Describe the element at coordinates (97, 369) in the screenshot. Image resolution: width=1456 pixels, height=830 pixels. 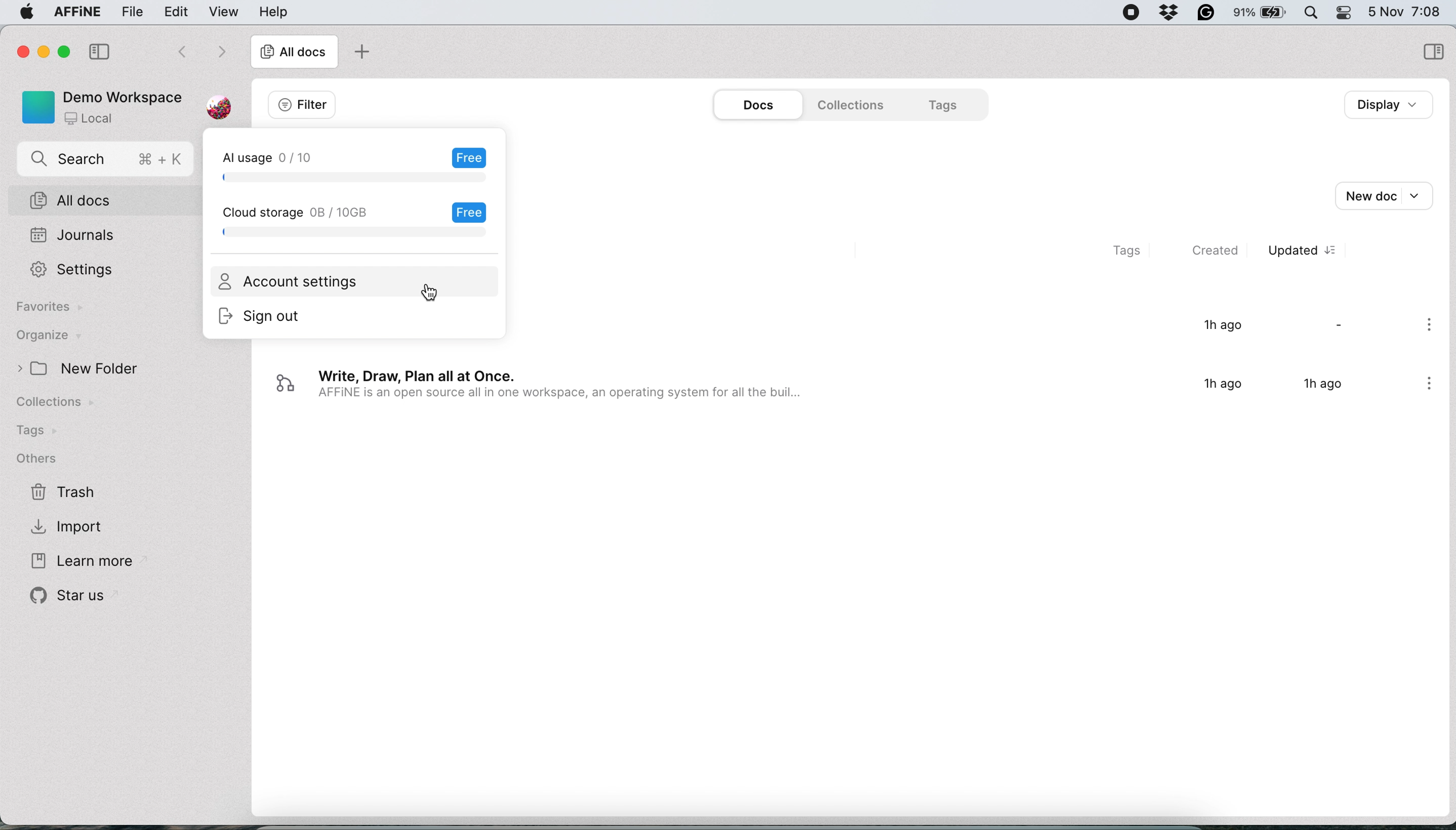
I see `new folder` at that location.